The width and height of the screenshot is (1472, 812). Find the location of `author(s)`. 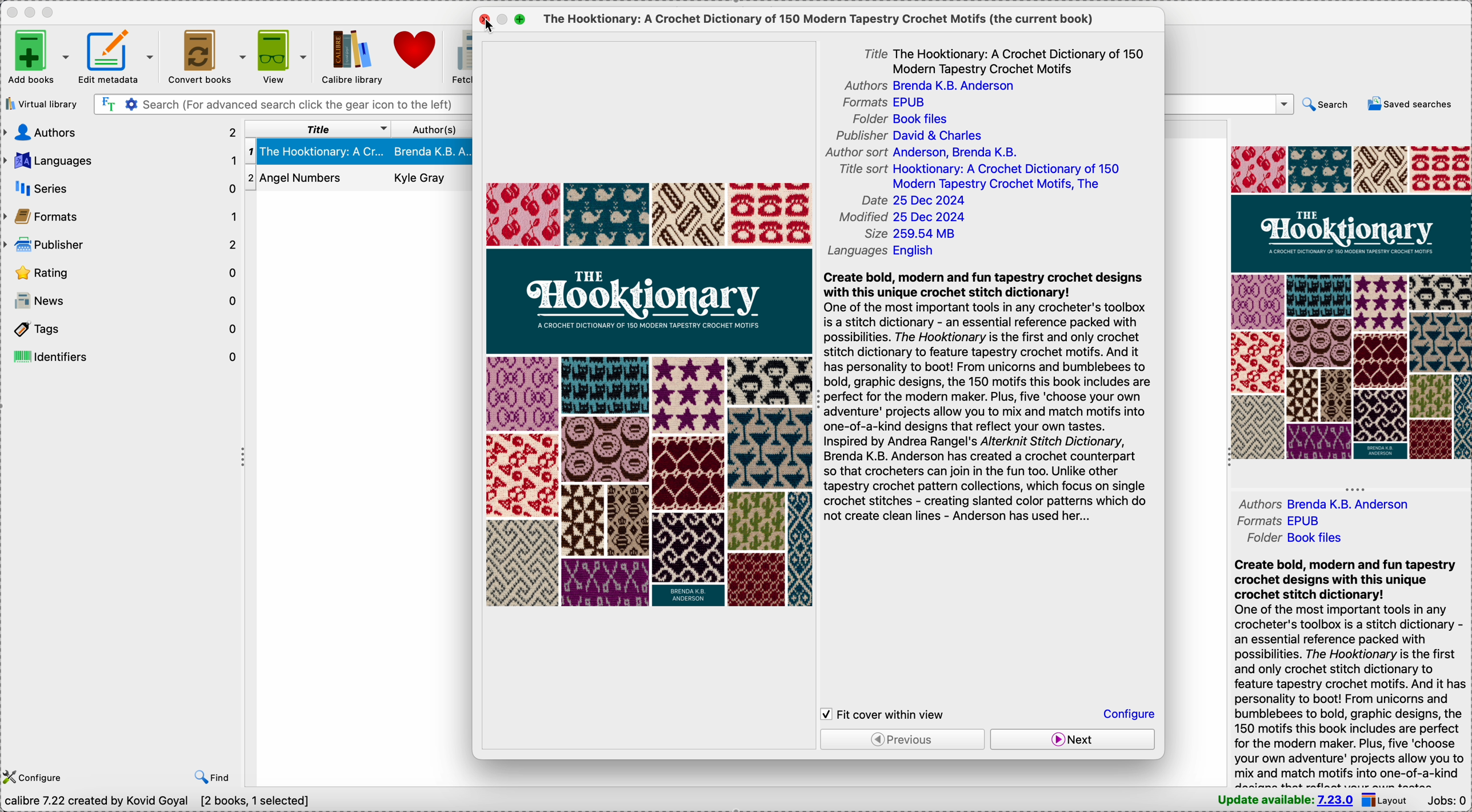

author(s) is located at coordinates (433, 129).